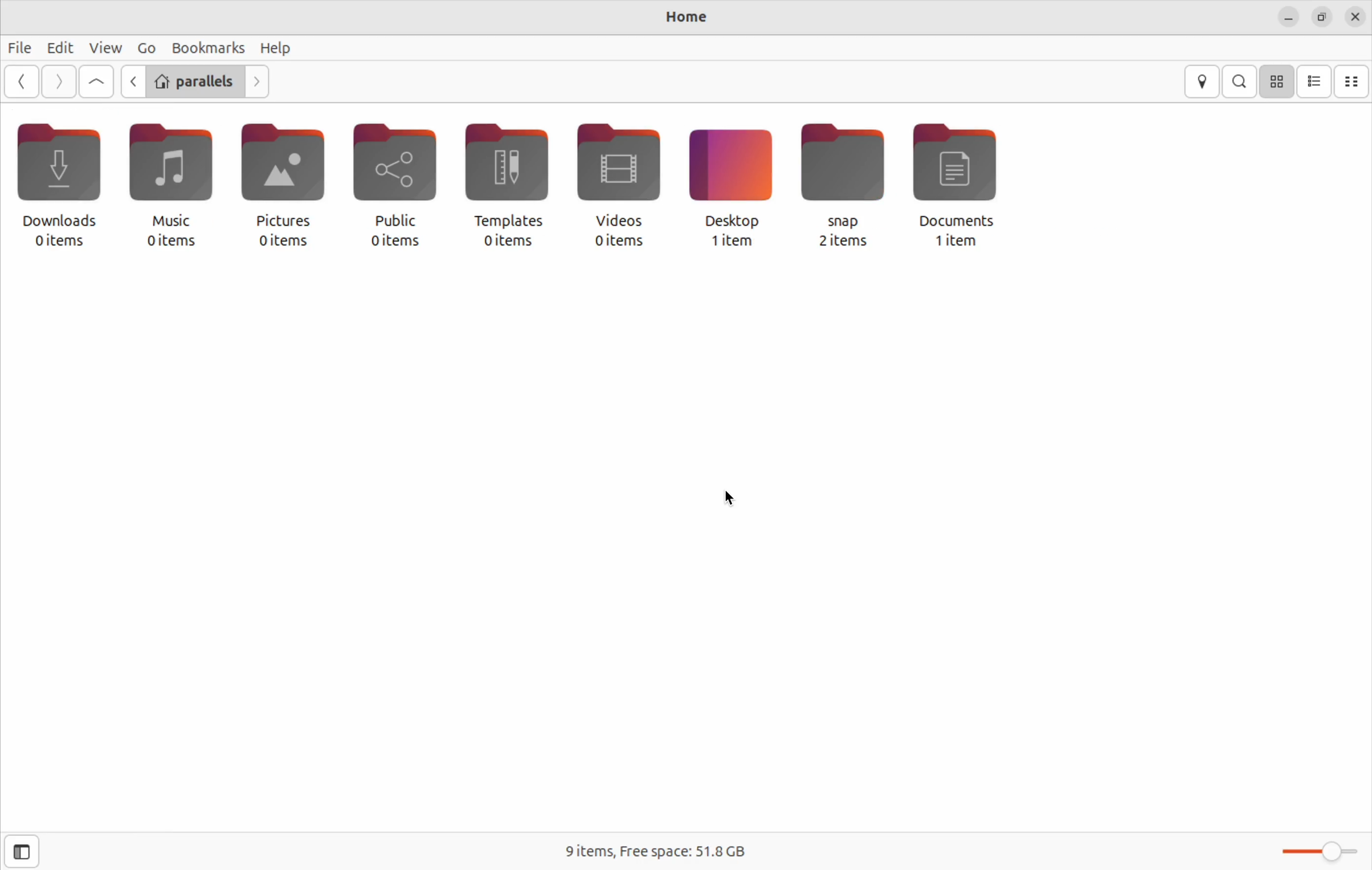 This screenshot has width=1372, height=870. I want to click on minimze, so click(1288, 18).